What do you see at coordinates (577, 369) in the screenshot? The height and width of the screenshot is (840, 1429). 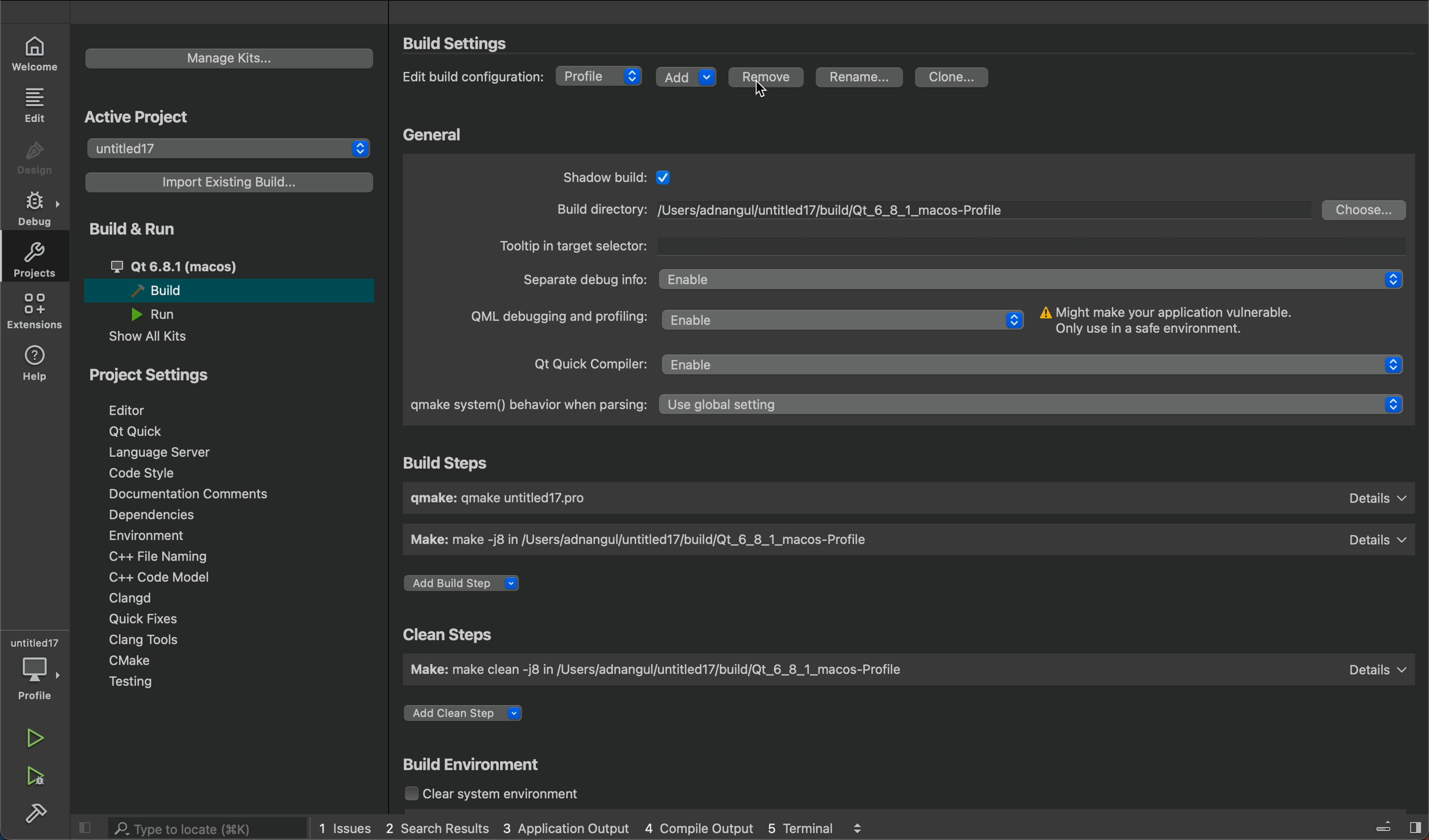 I see `qt quick compiler` at bounding box center [577, 369].